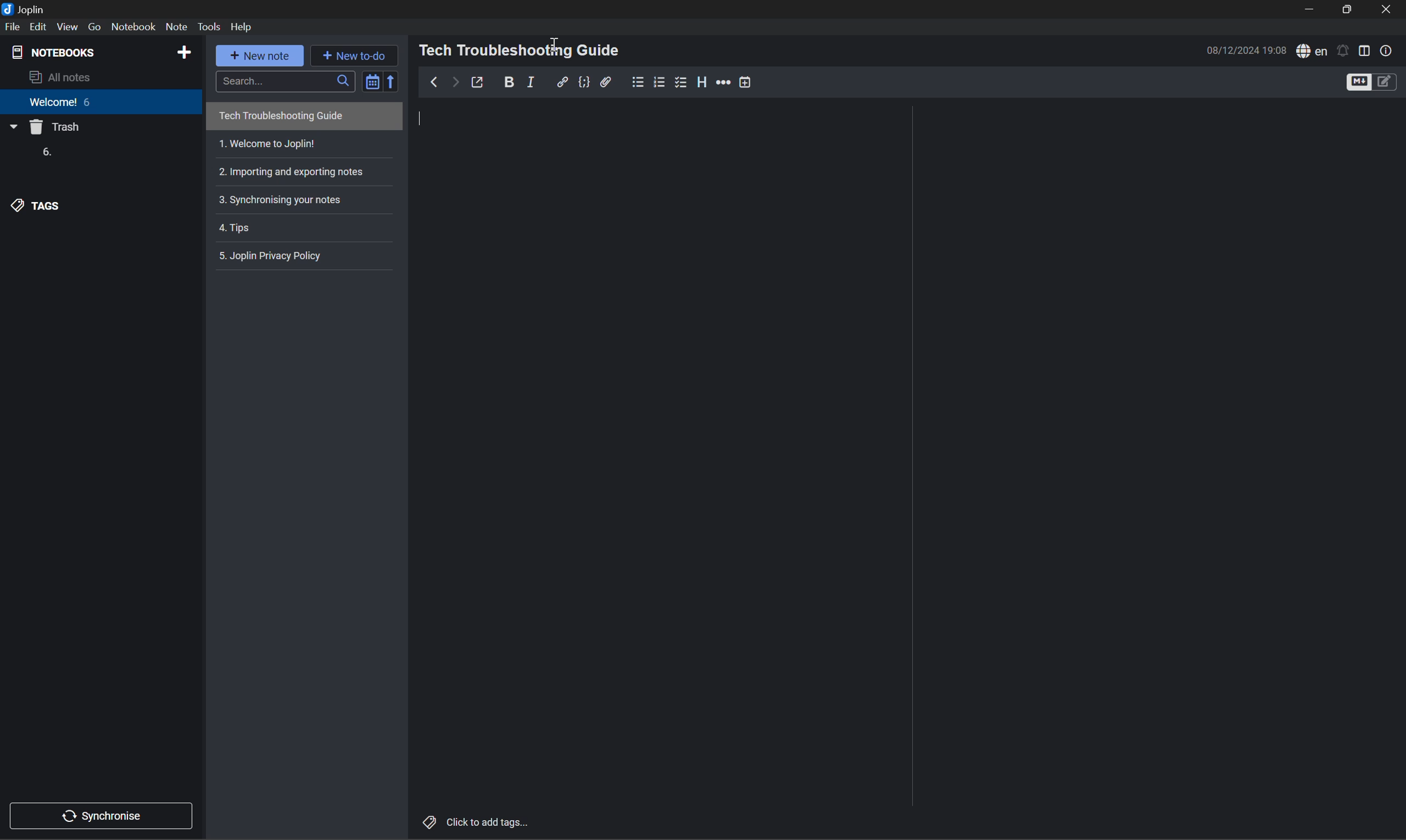 Image resolution: width=1406 pixels, height=840 pixels. Describe the element at coordinates (1386, 50) in the screenshot. I see `Note properties` at that location.